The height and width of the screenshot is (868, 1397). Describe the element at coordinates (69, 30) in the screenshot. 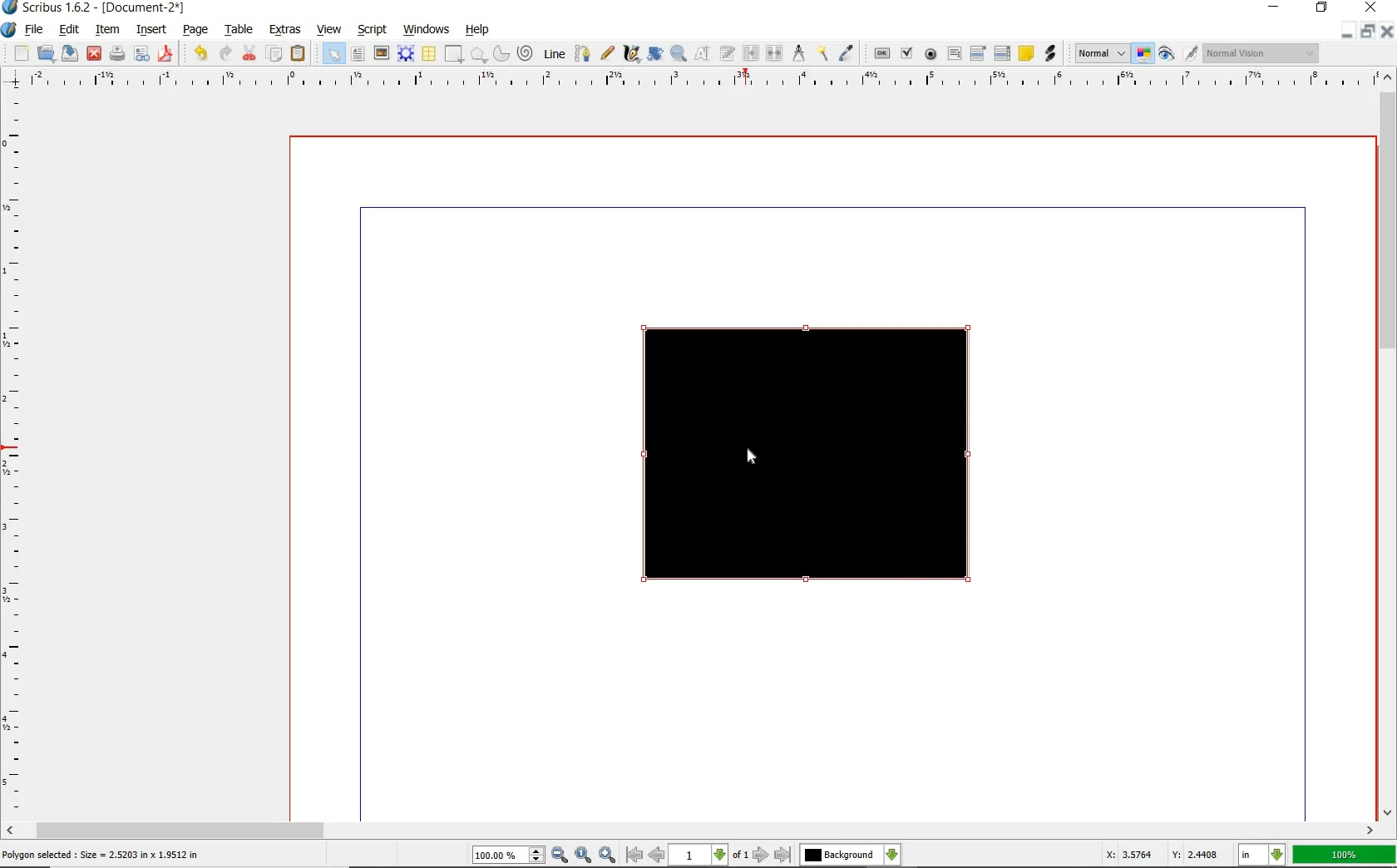

I see `edit` at that location.